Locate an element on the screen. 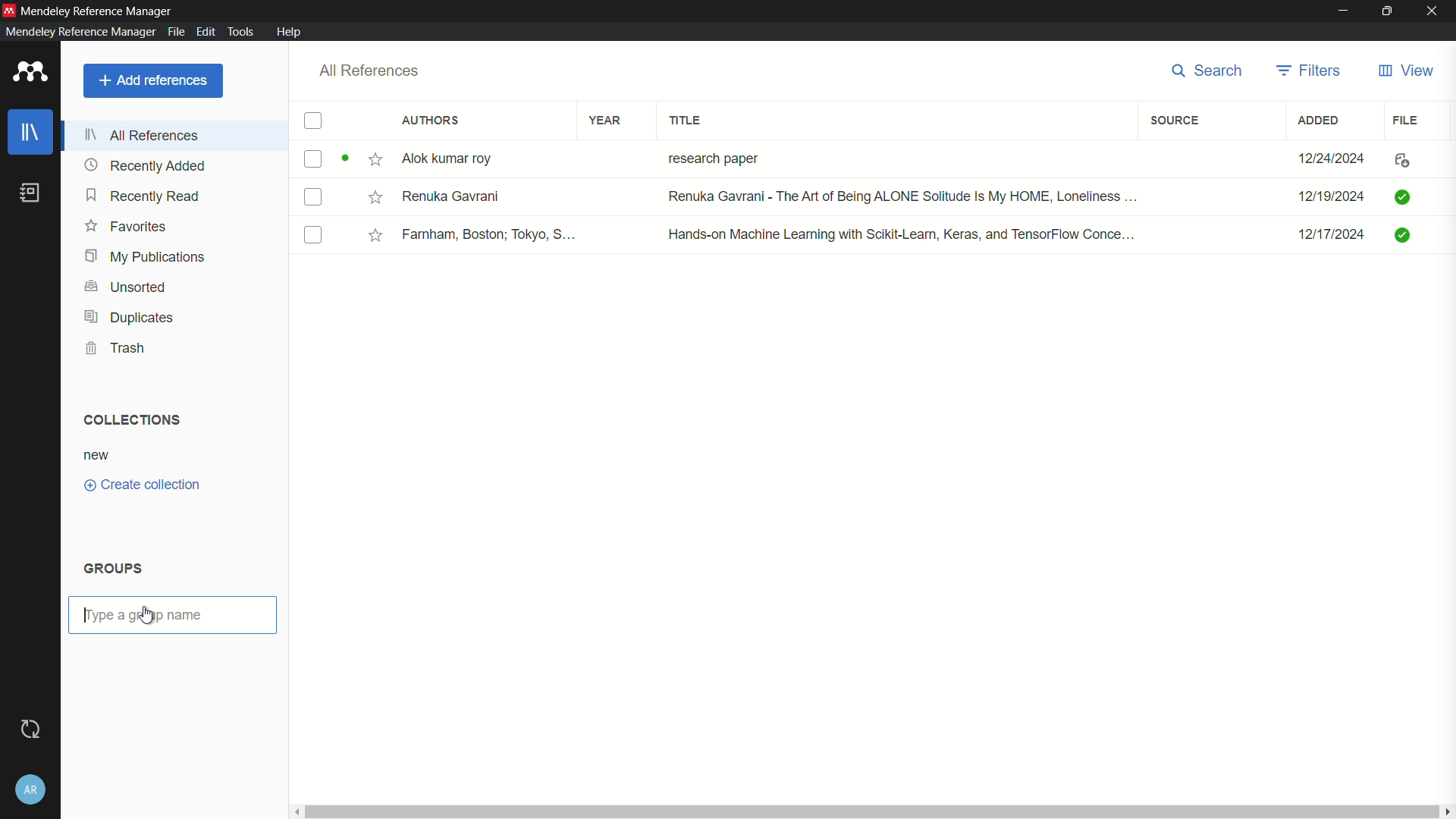  library is located at coordinates (33, 133).